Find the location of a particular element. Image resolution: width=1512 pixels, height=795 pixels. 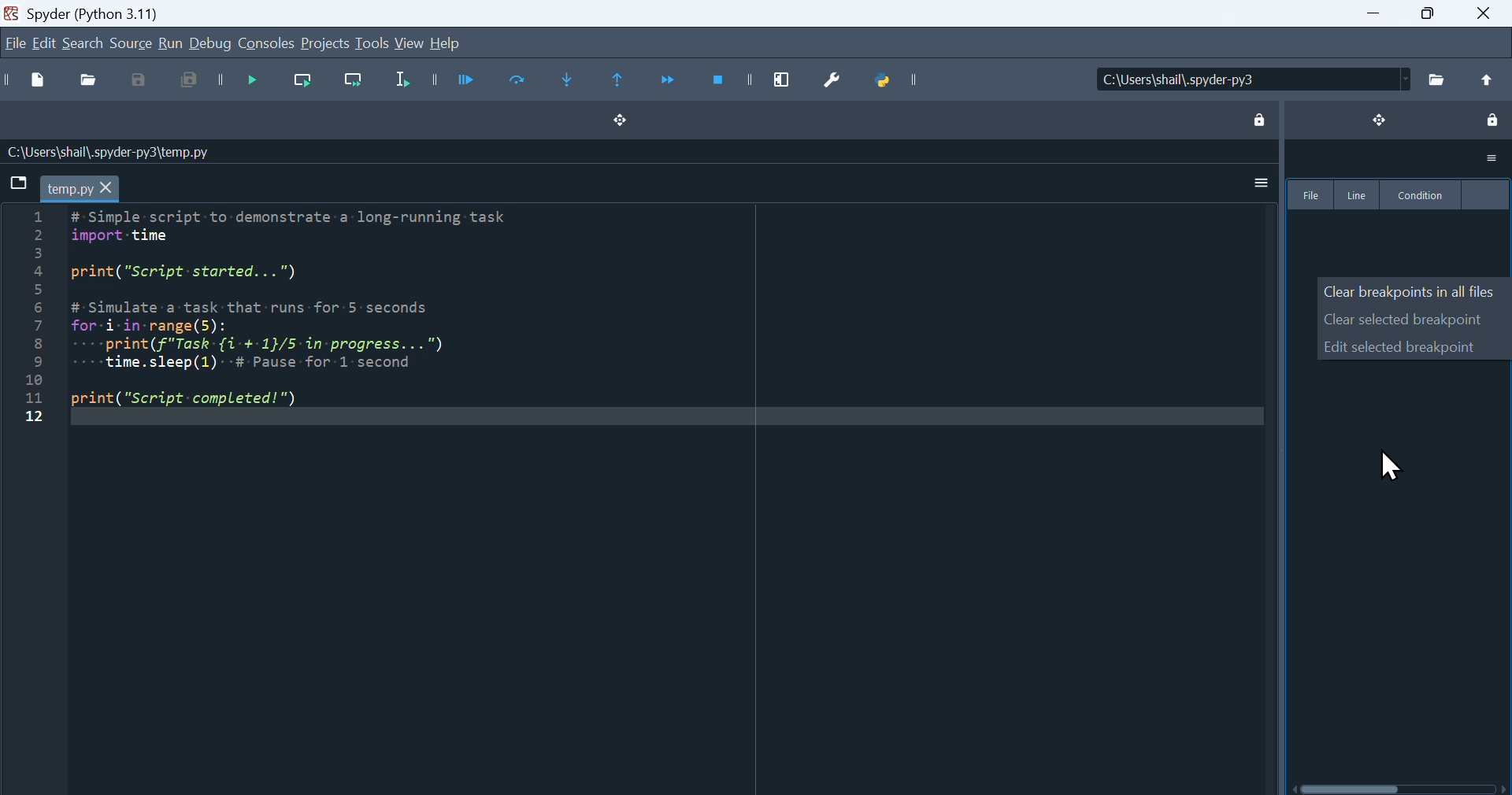

Debug is located at coordinates (211, 43).